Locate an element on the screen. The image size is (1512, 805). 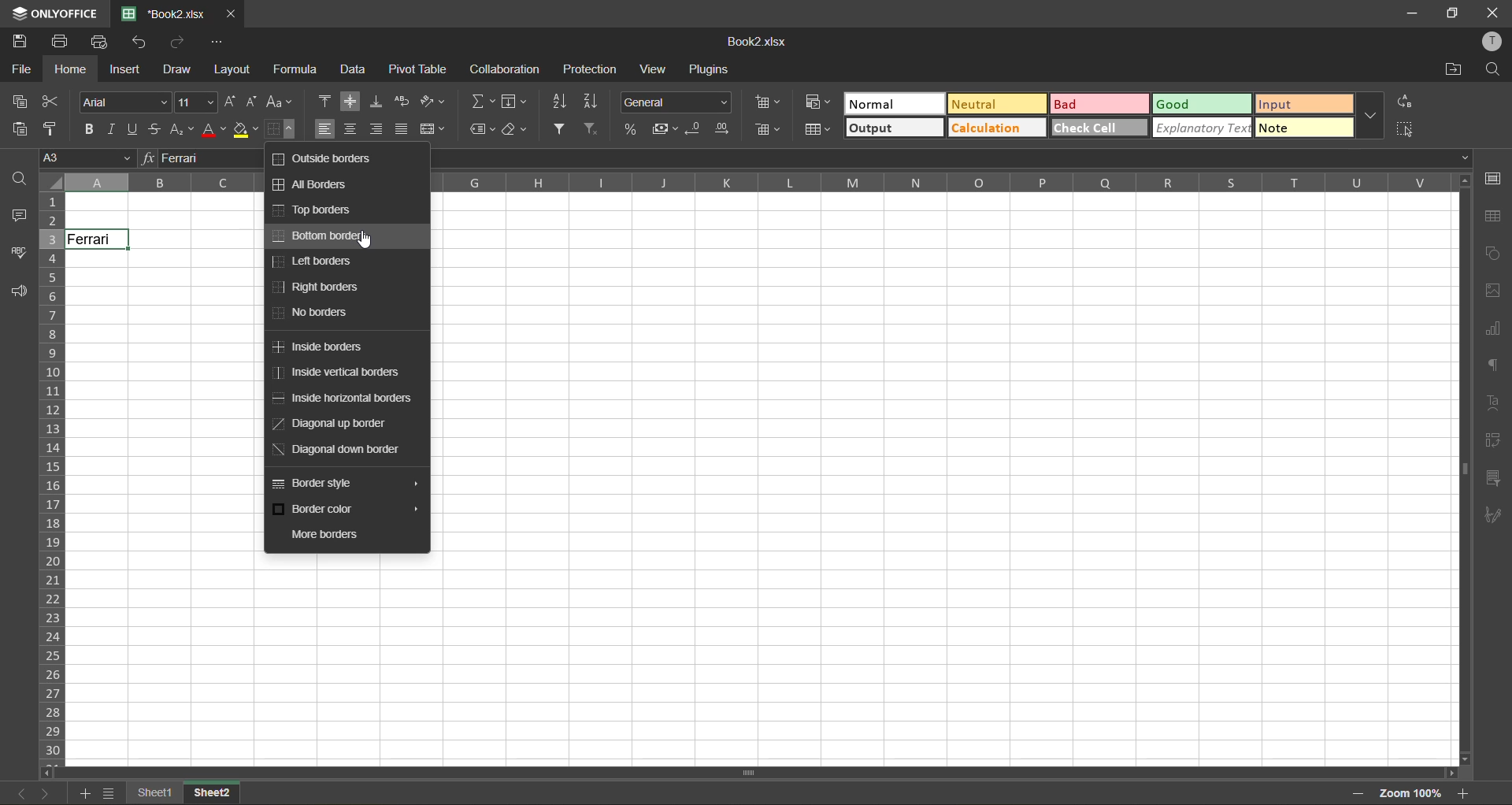
file name is located at coordinates (163, 13).